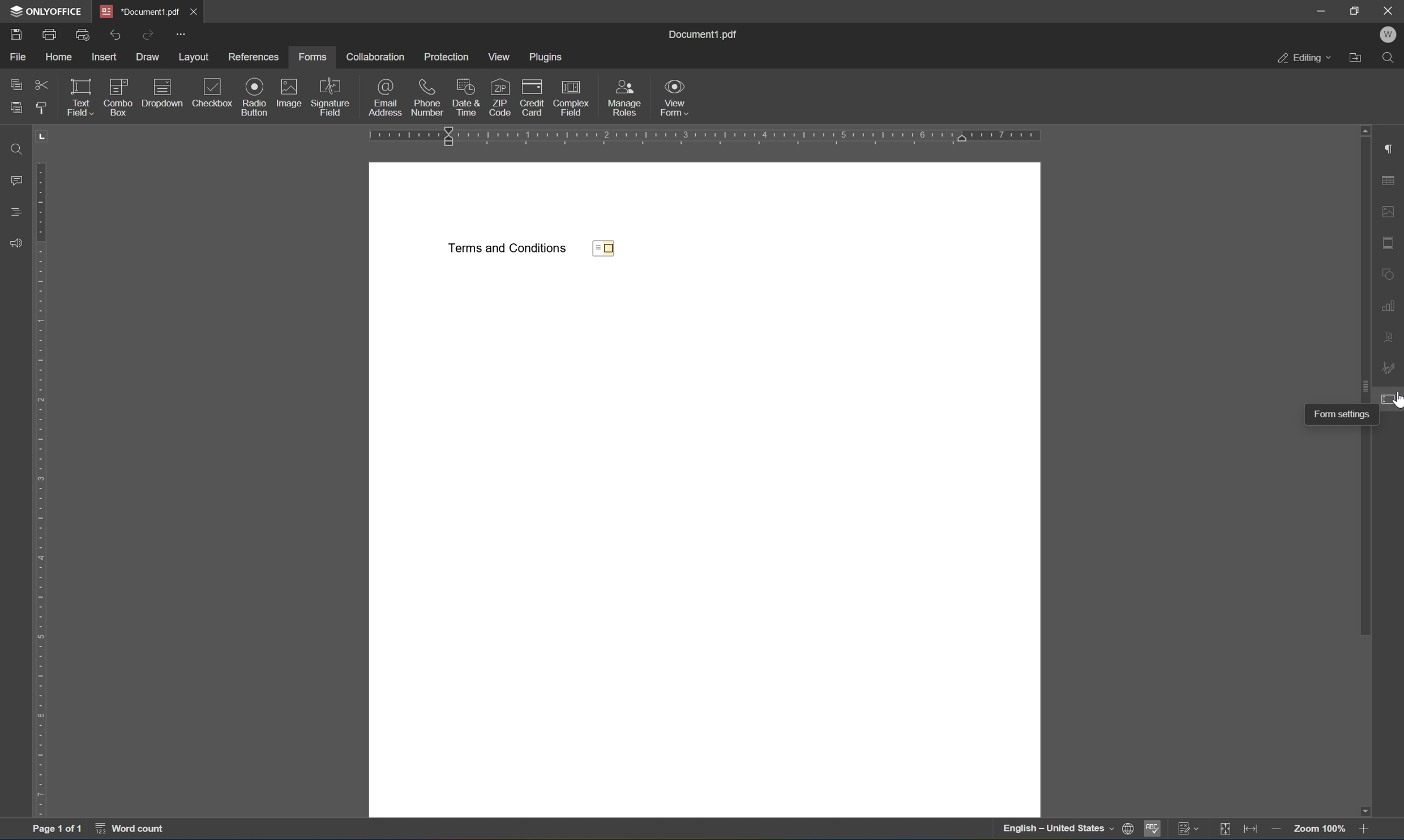 Image resolution: width=1404 pixels, height=840 pixels. I want to click on print, so click(51, 35).